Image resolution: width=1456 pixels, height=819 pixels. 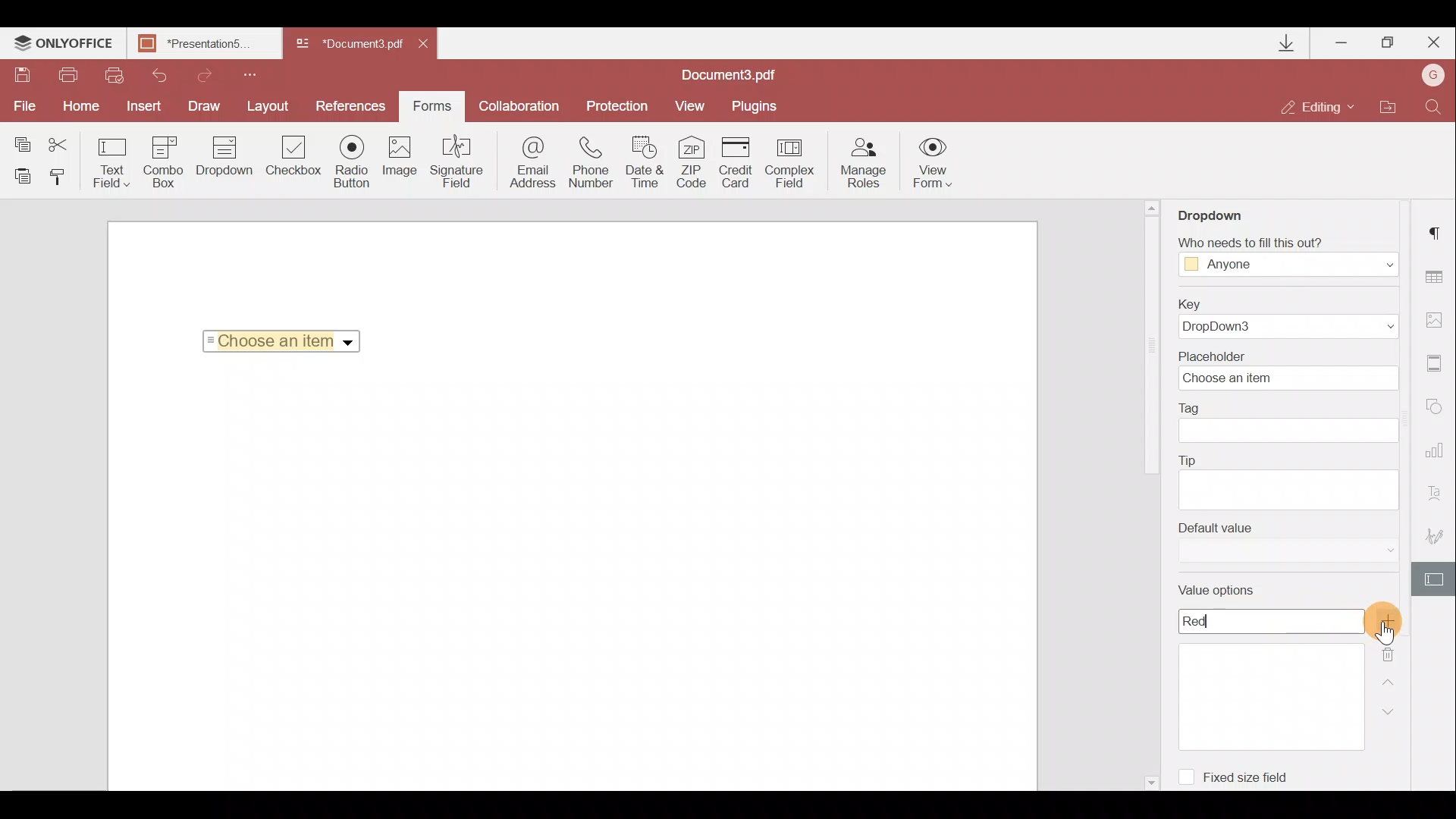 What do you see at coordinates (1289, 43) in the screenshot?
I see `Downloads` at bounding box center [1289, 43].